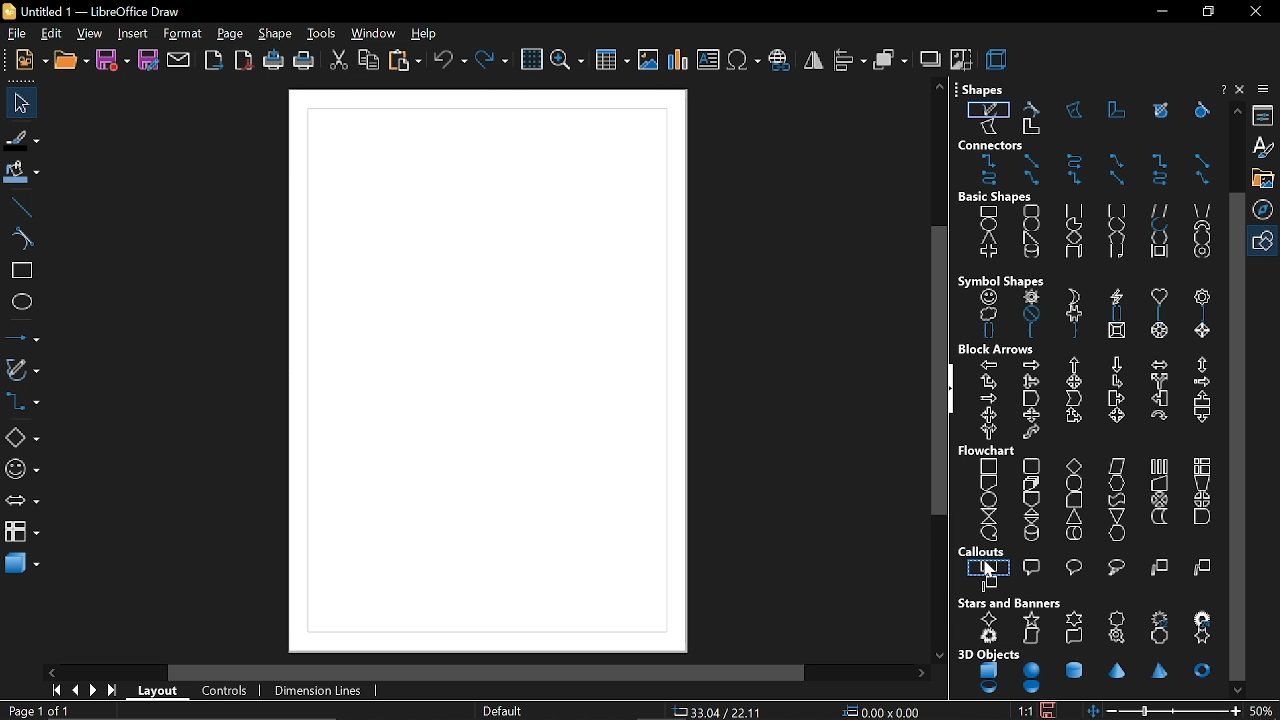 This screenshot has width=1280, height=720. I want to click on concave 6 point star, so click(1203, 637).